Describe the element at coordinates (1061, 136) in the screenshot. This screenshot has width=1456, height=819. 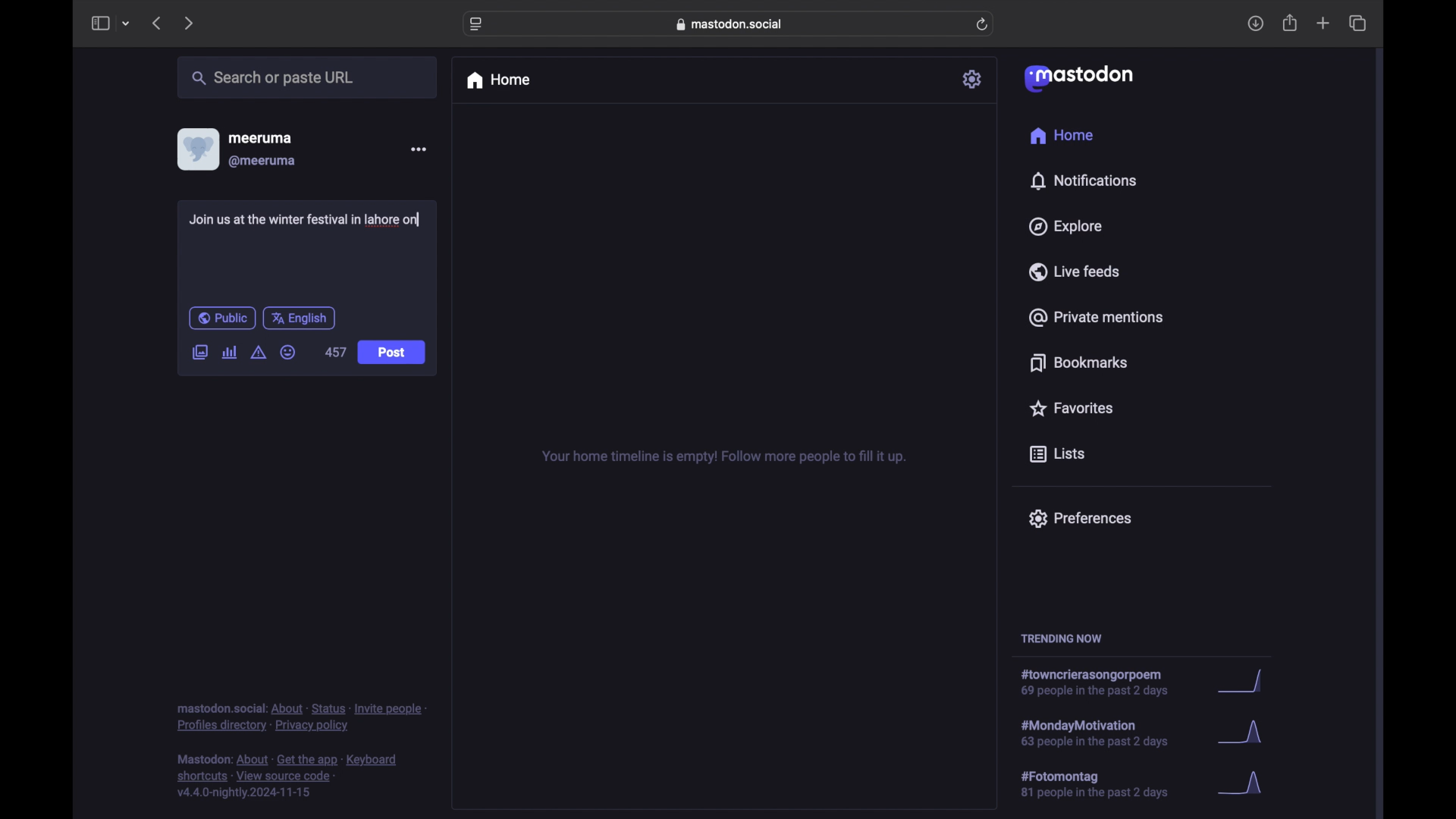
I see `home` at that location.